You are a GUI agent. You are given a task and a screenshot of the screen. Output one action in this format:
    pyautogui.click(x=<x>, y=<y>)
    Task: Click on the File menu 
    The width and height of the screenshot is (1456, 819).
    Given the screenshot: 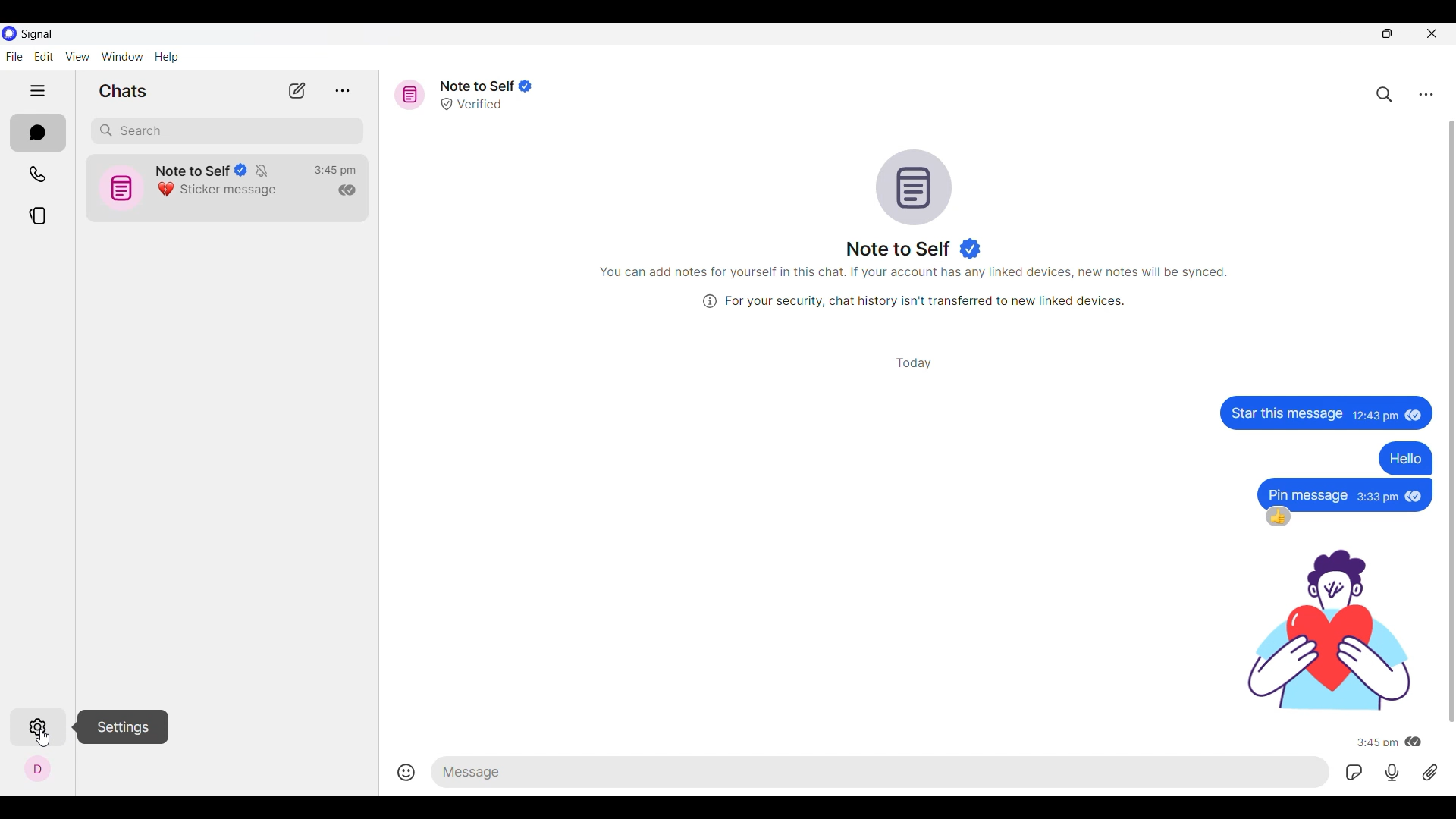 What is the action you would take?
    pyautogui.click(x=14, y=56)
    